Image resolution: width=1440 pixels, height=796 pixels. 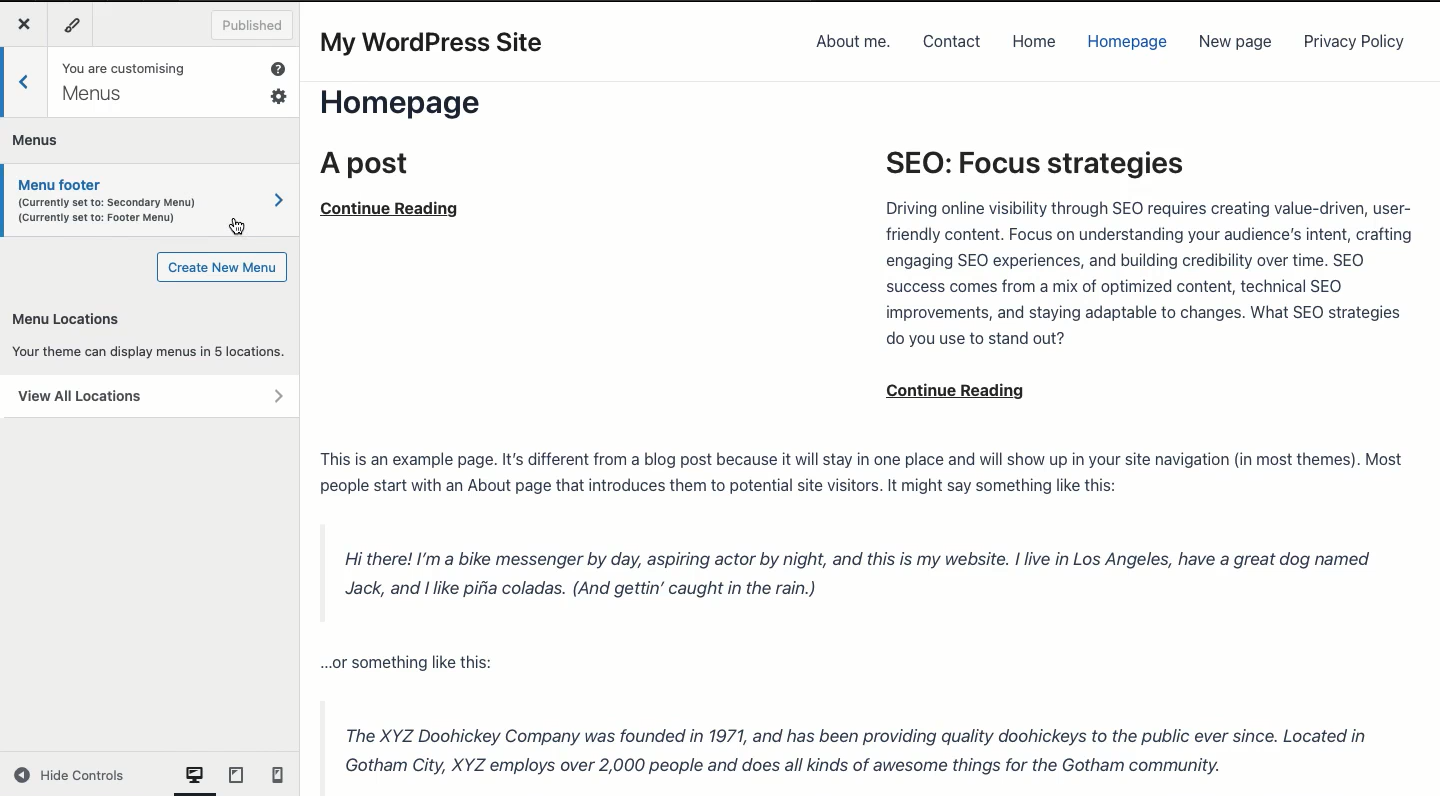 What do you see at coordinates (1235, 43) in the screenshot?
I see `New page` at bounding box center [1235, 43].